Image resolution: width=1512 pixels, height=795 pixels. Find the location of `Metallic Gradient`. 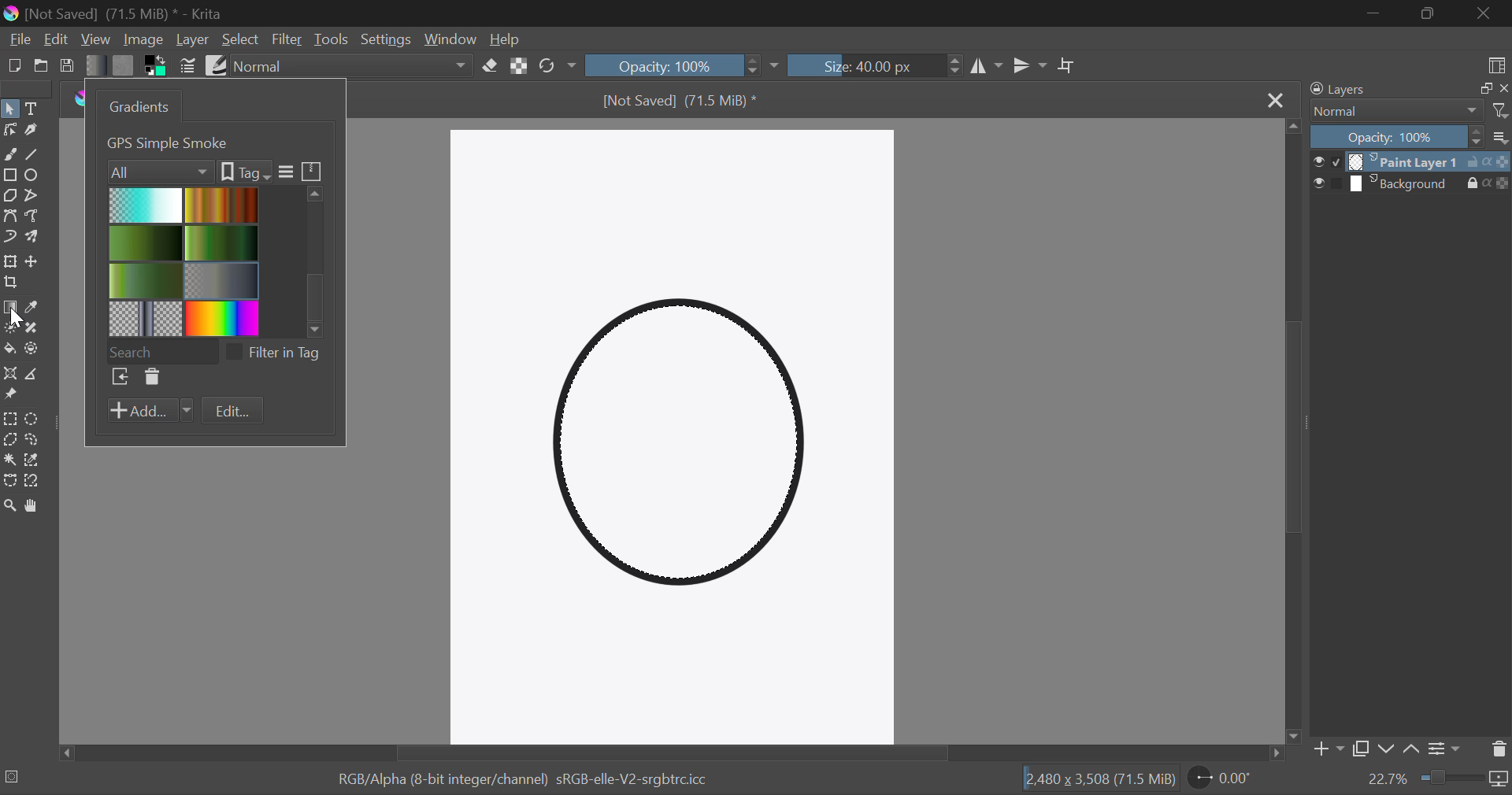

Metallic Gradient is located at coordinates (225, 280).